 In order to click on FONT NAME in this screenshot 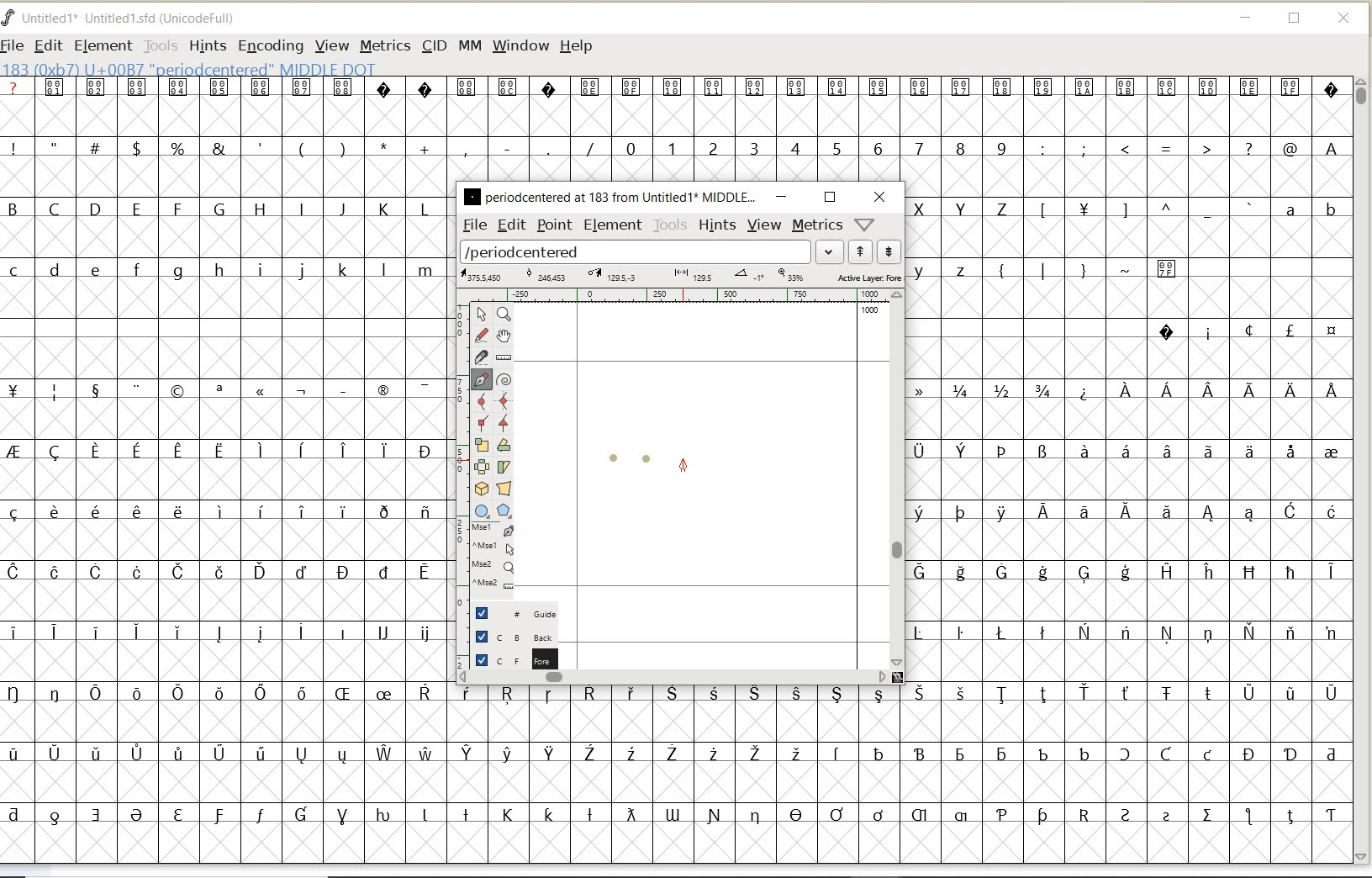, I will do `click(131, 19)`.